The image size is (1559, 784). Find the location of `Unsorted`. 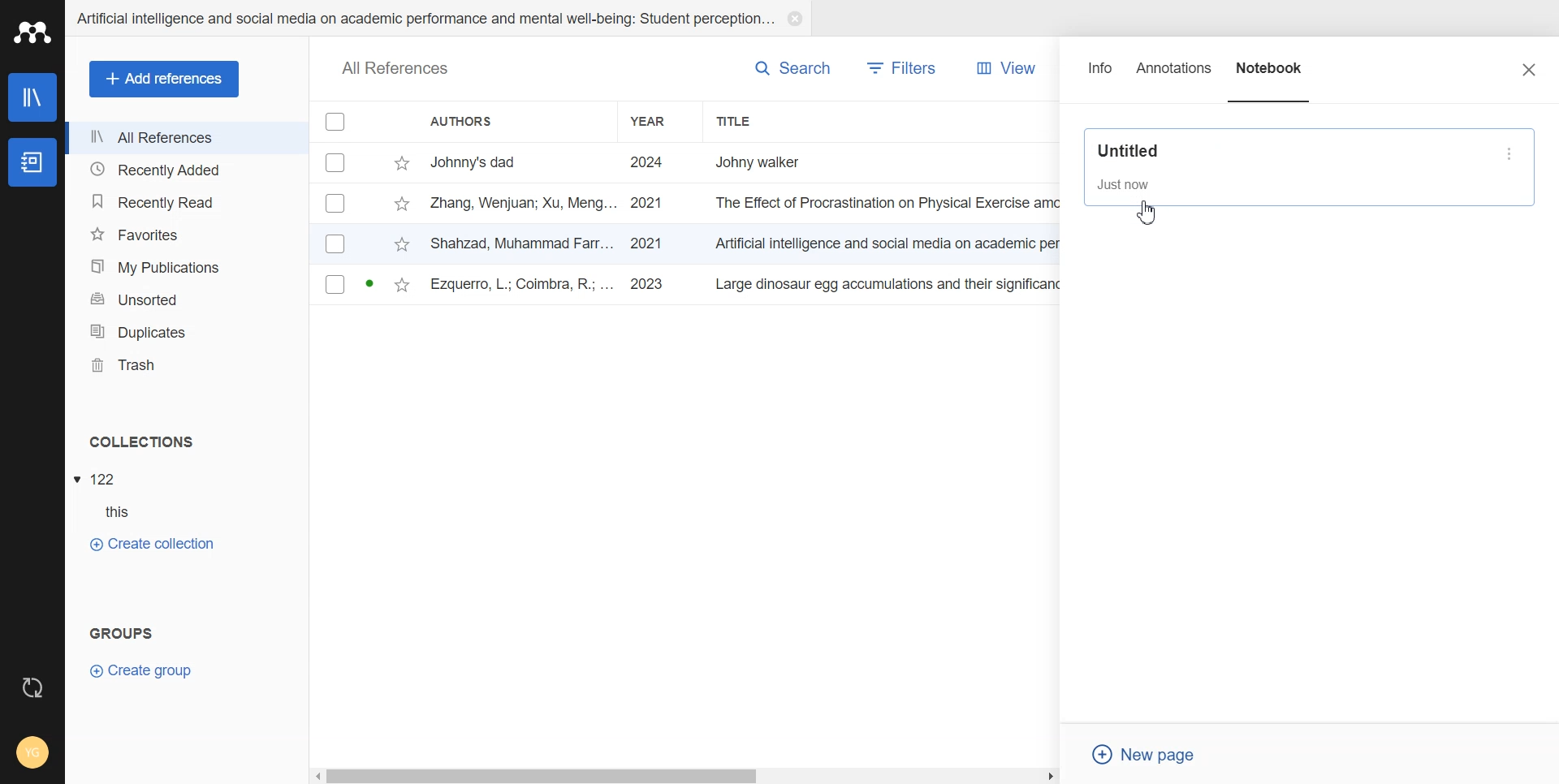

Unsorted is located at coordinates (187, 299).